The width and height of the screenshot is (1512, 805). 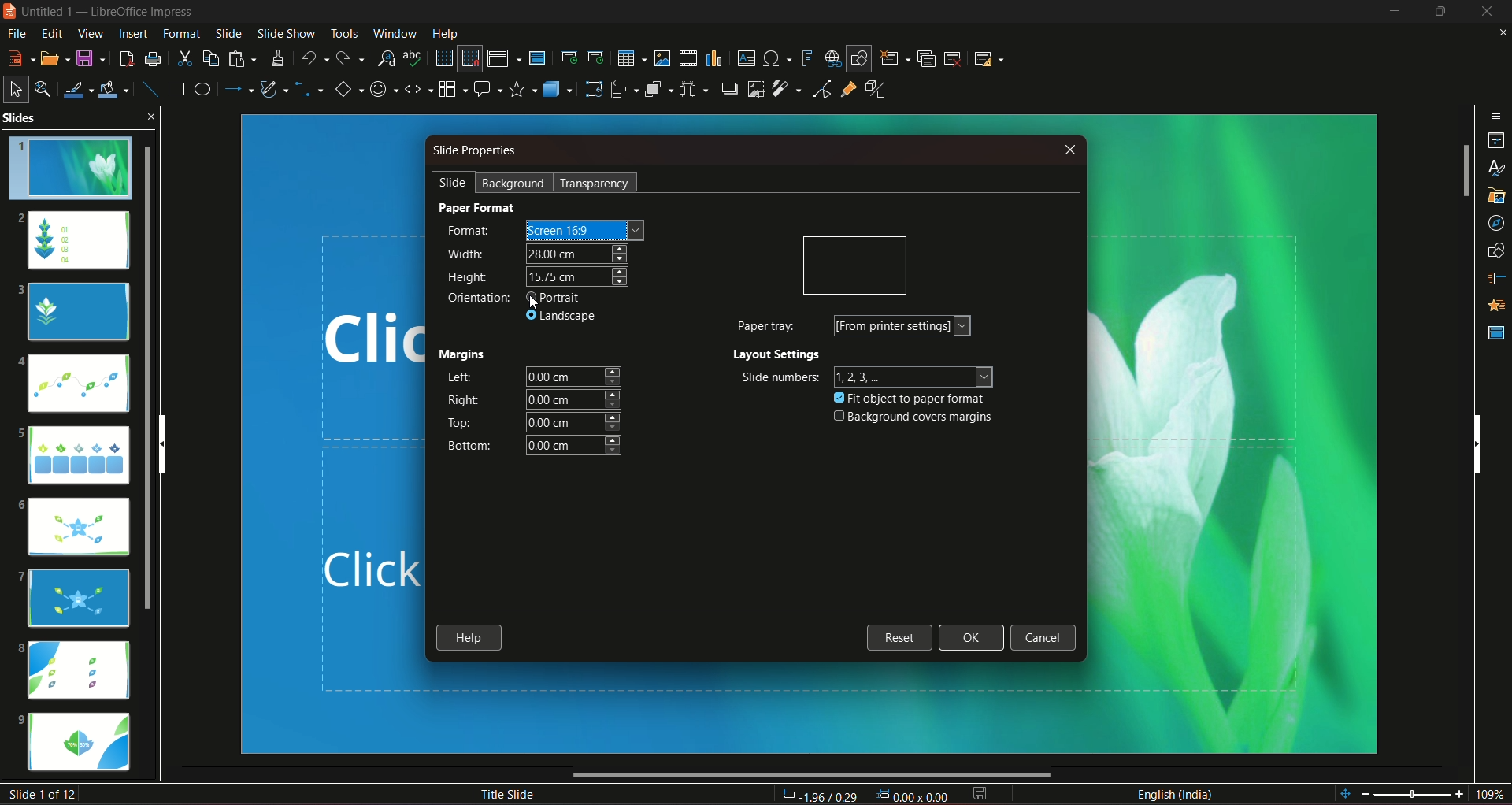 What do you see at coordinates (117, 87) in the screenshot?
I see `fill color` at bounding box center [117, 87].